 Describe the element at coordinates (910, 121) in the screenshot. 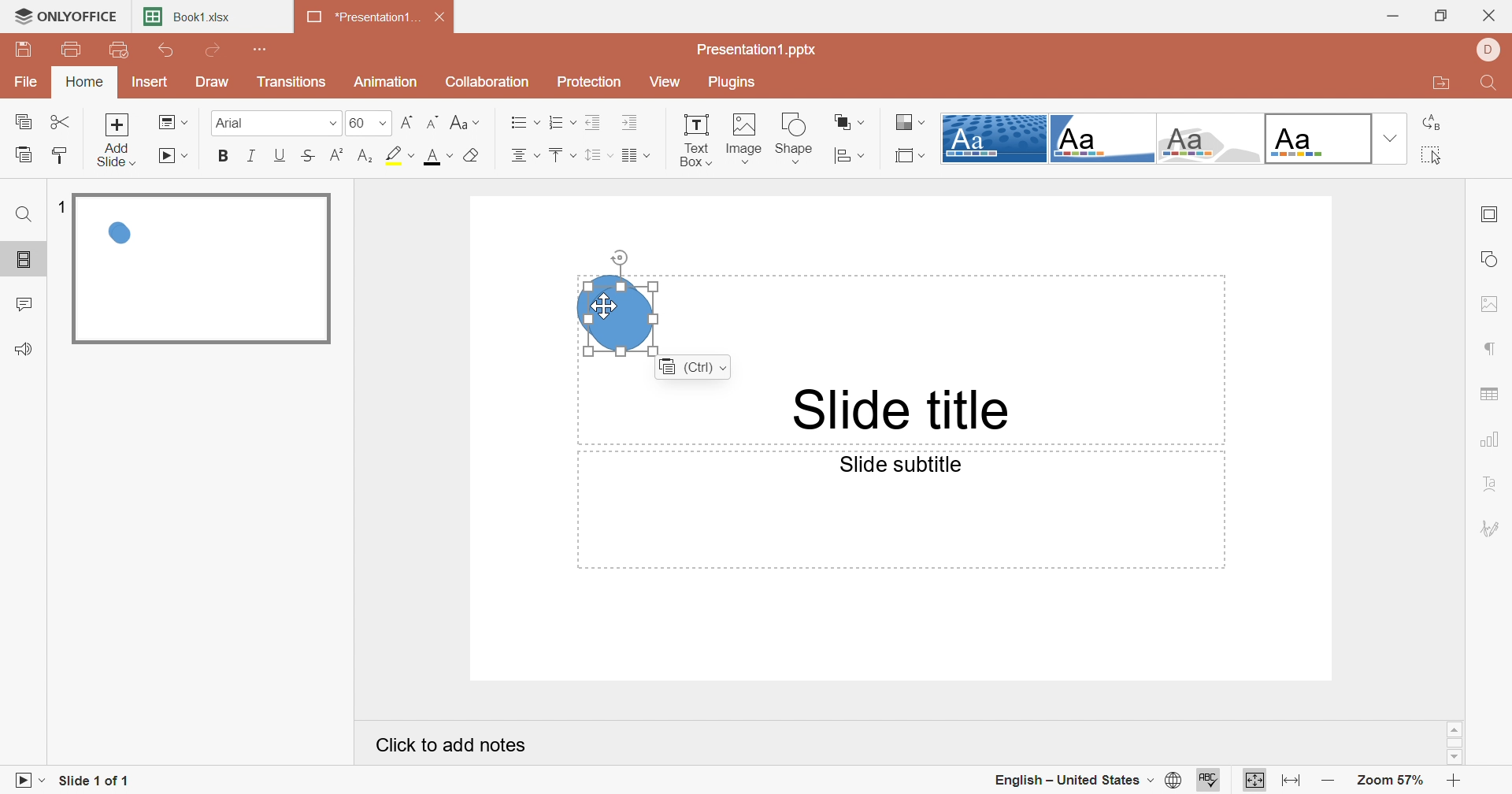

I see `Change color theme` at that location.